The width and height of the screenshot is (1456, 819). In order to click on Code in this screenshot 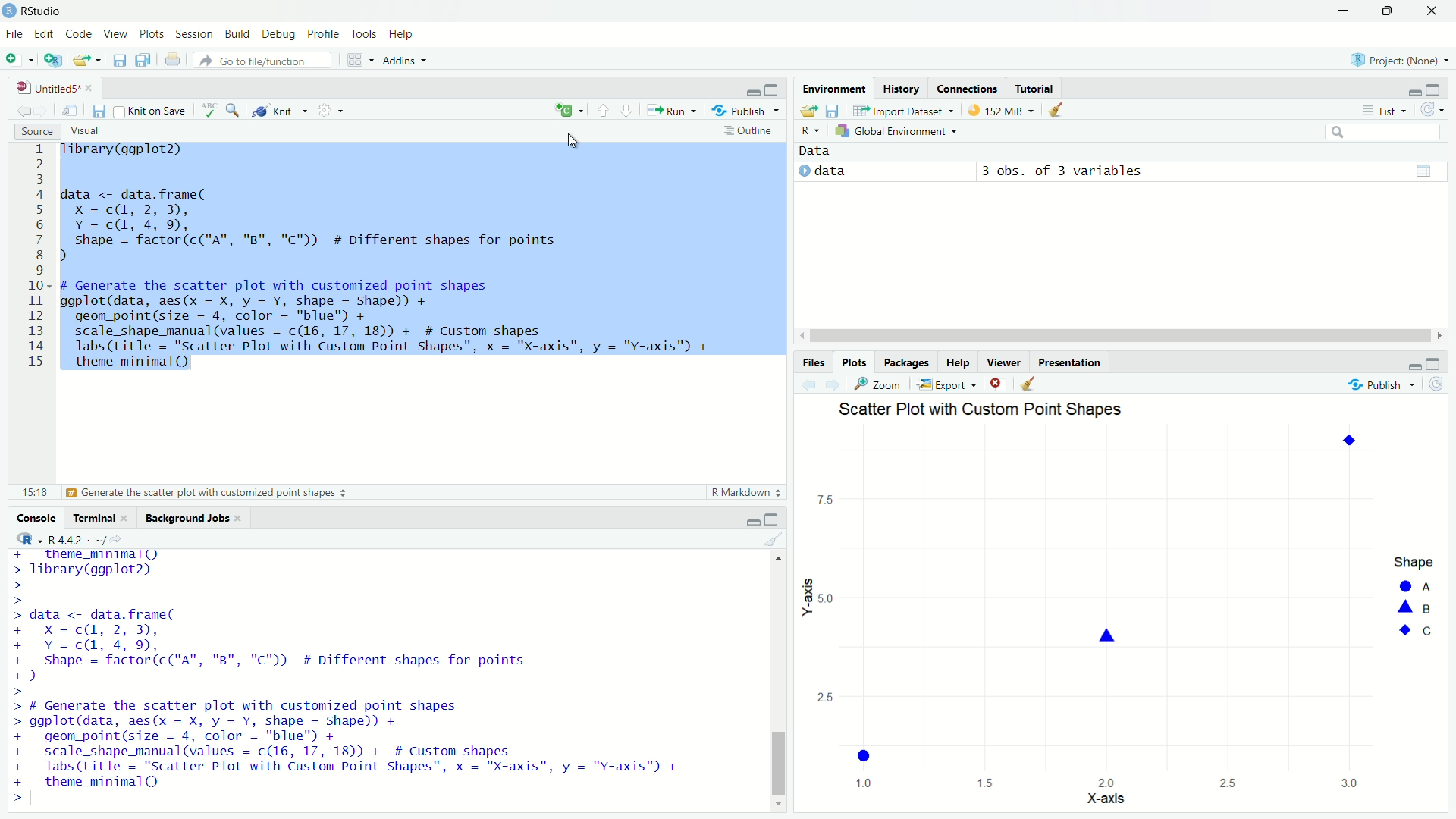, I will do `click(77, 33)`.